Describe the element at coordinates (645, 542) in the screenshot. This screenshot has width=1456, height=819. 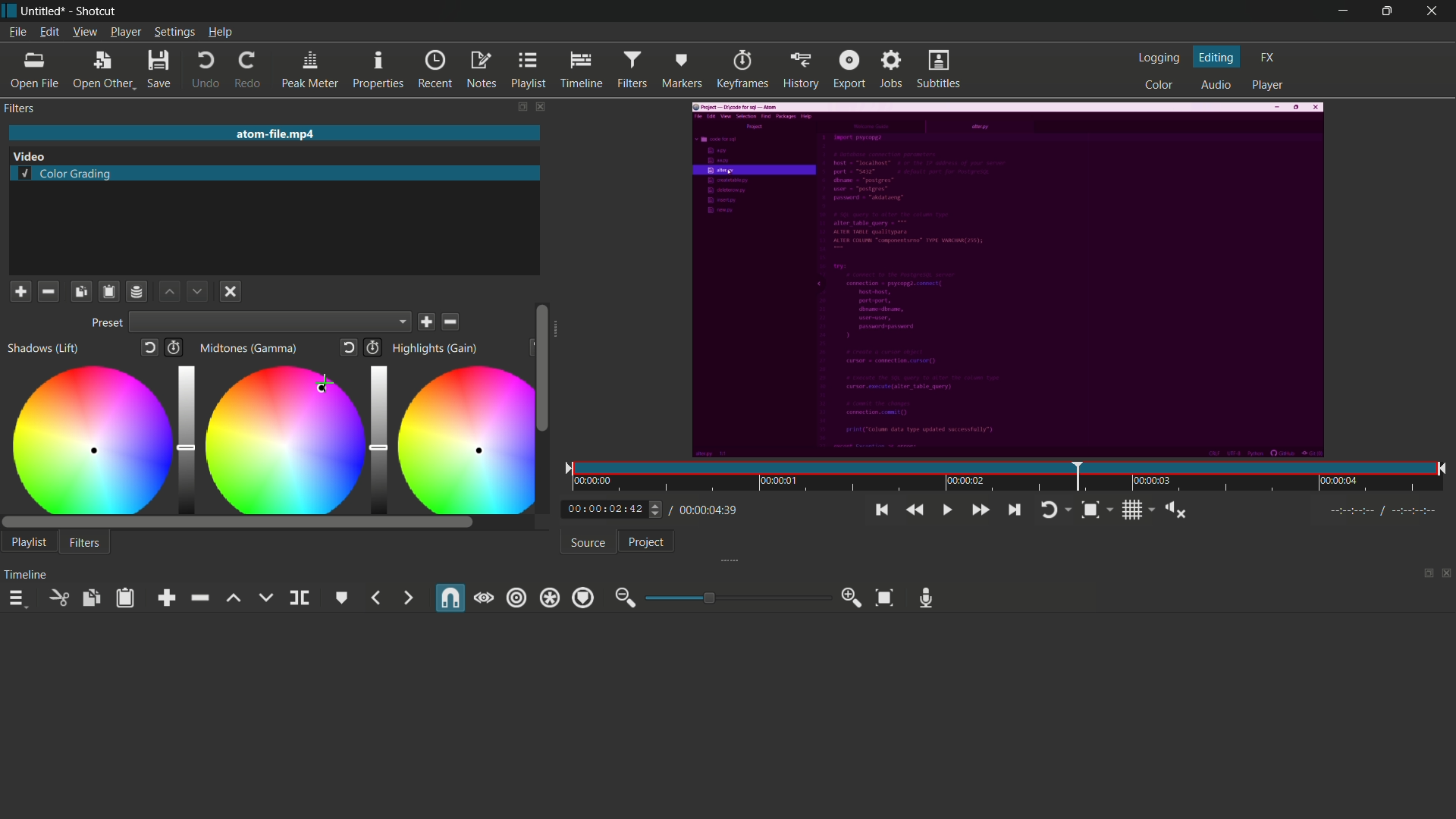
I see `project` at that location.